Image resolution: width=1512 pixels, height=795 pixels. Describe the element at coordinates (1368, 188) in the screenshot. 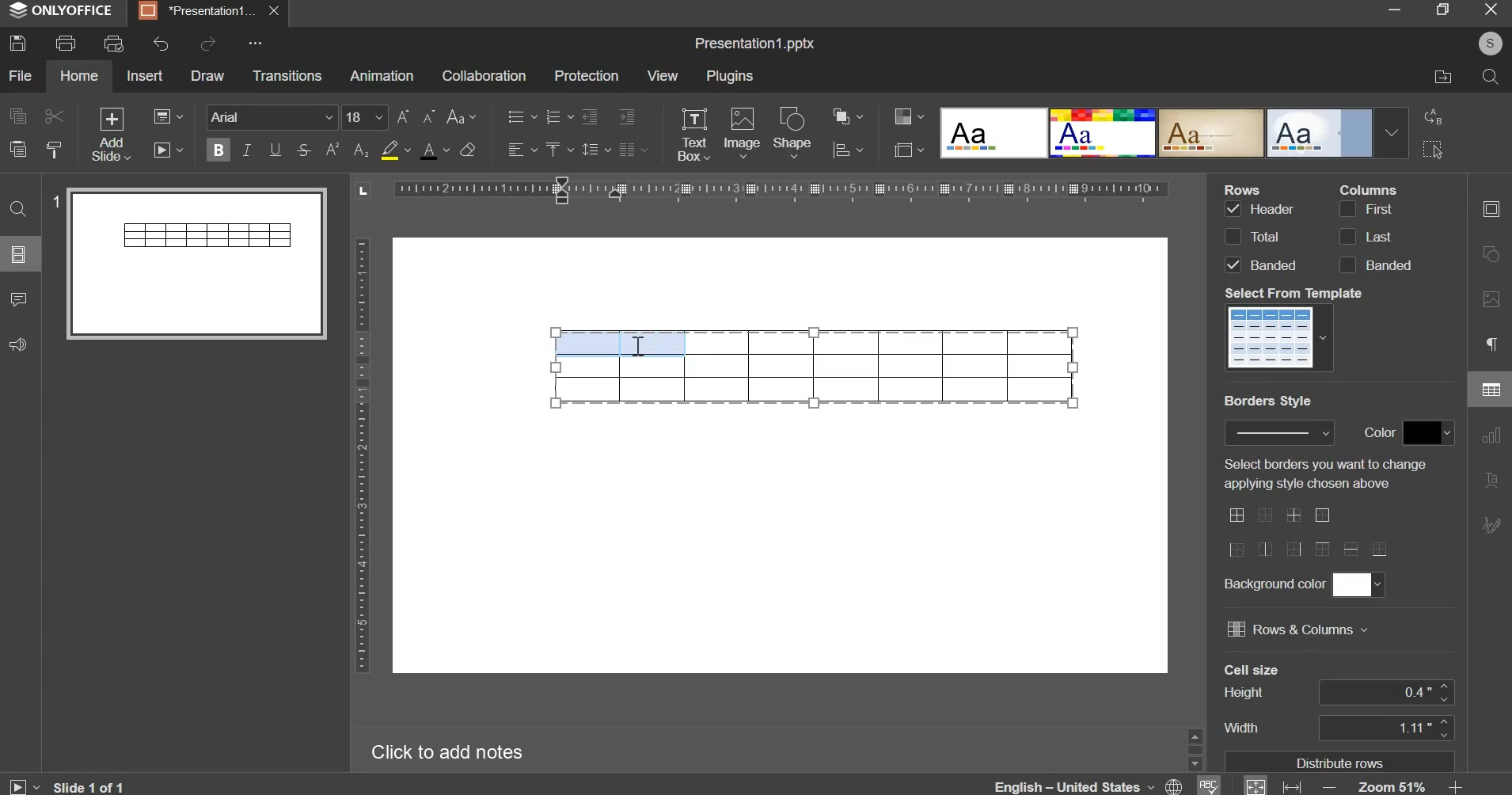

I see `Column` at that location.